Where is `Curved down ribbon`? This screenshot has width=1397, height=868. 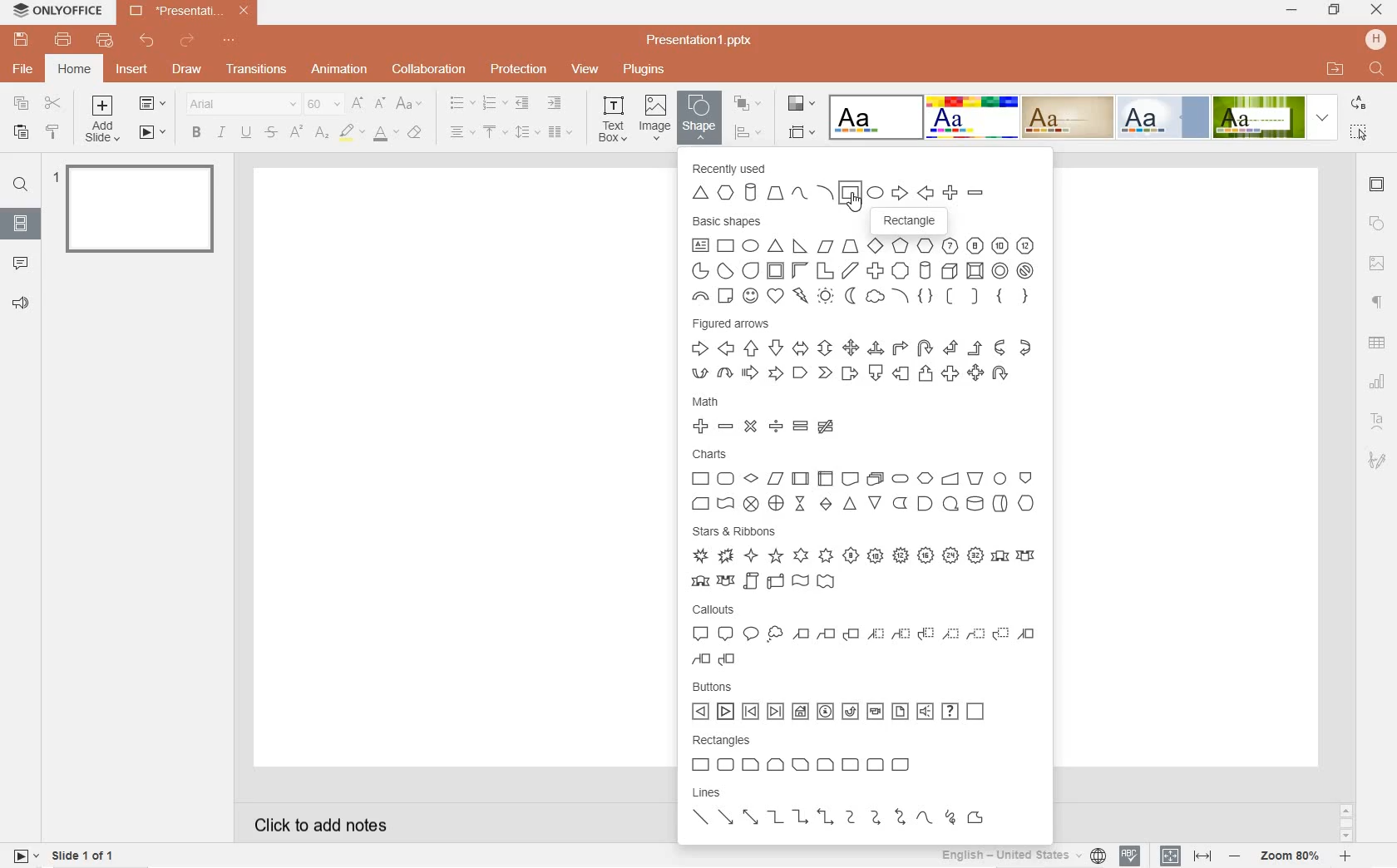 Curved down ribbon is located at coordinates (727, 580).